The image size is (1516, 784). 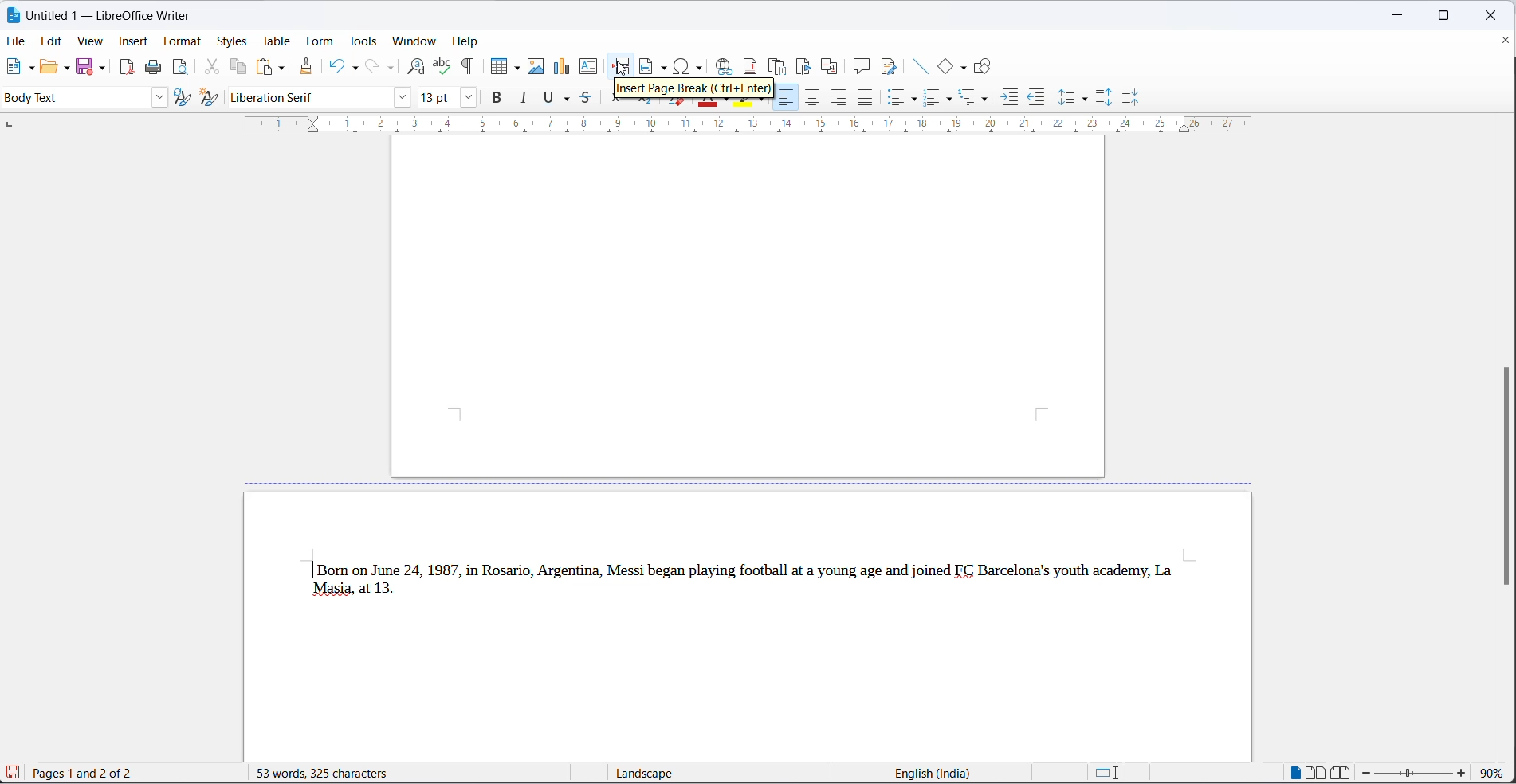 I want to click on bold, so click(x=497, y=97).